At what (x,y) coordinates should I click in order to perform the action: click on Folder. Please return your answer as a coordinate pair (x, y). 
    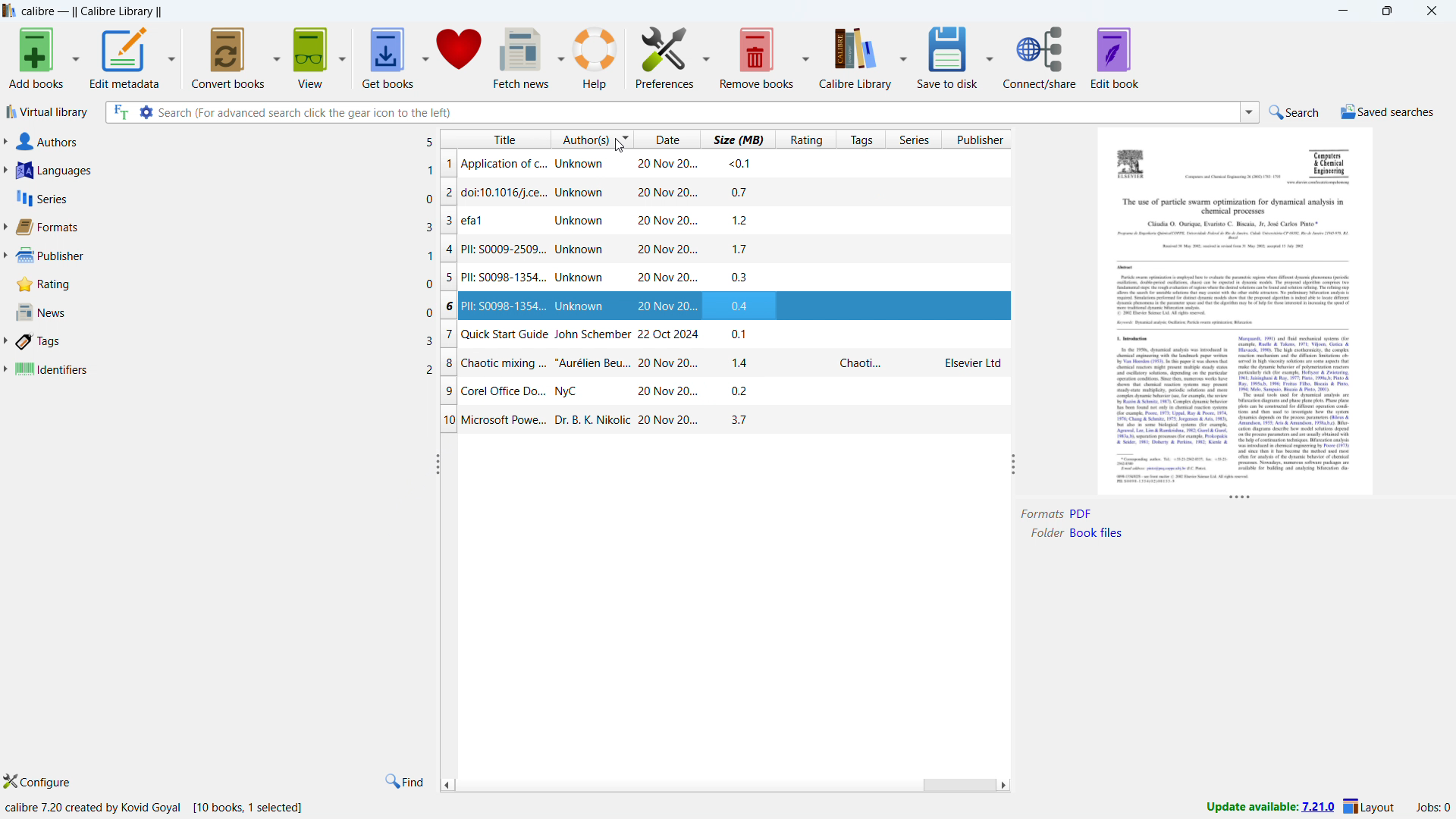
    Looking at the image, I should click on (1045, 532).